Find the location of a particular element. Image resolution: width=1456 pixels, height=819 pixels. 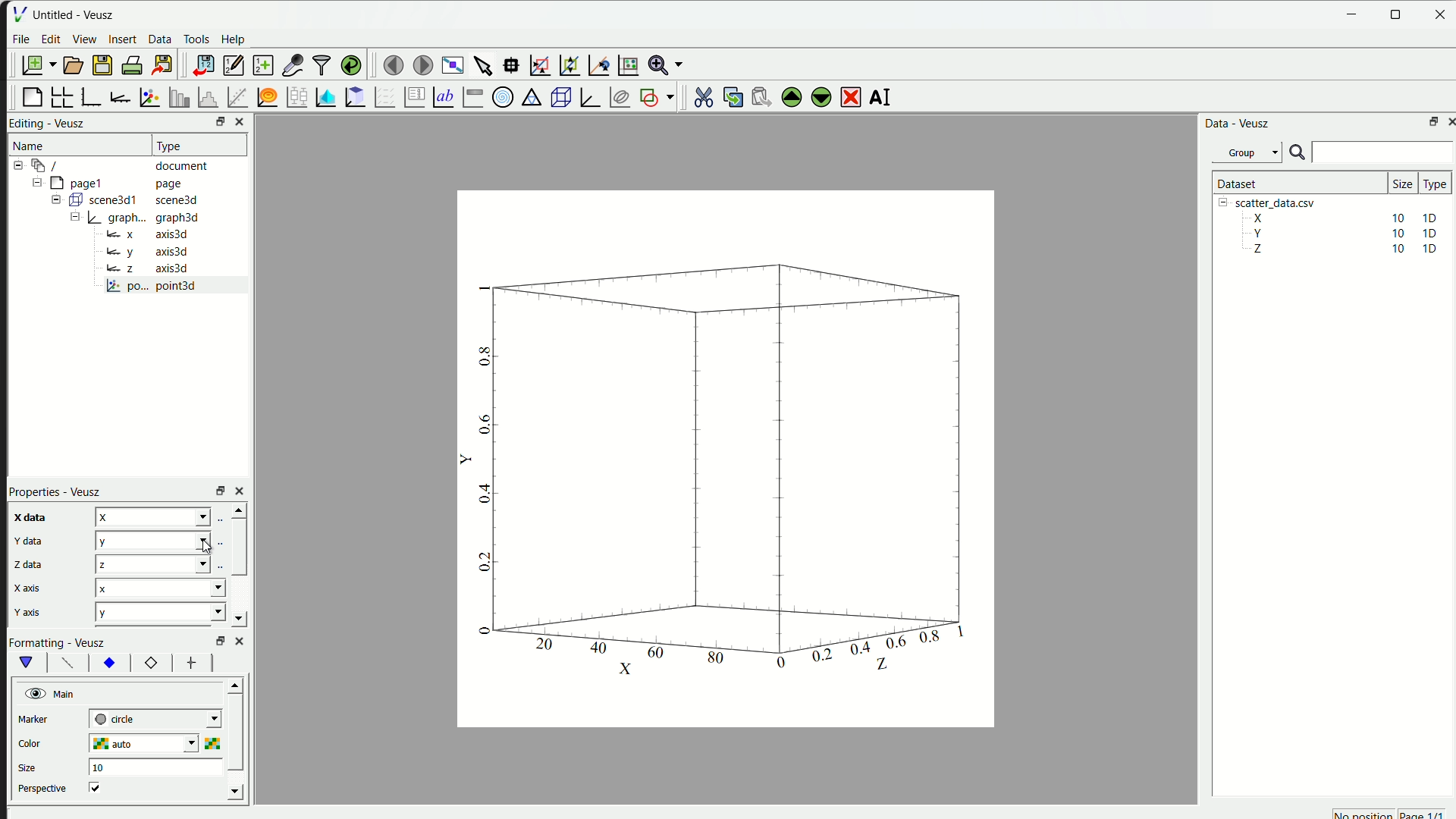

close is located at coordinates (237, 122).